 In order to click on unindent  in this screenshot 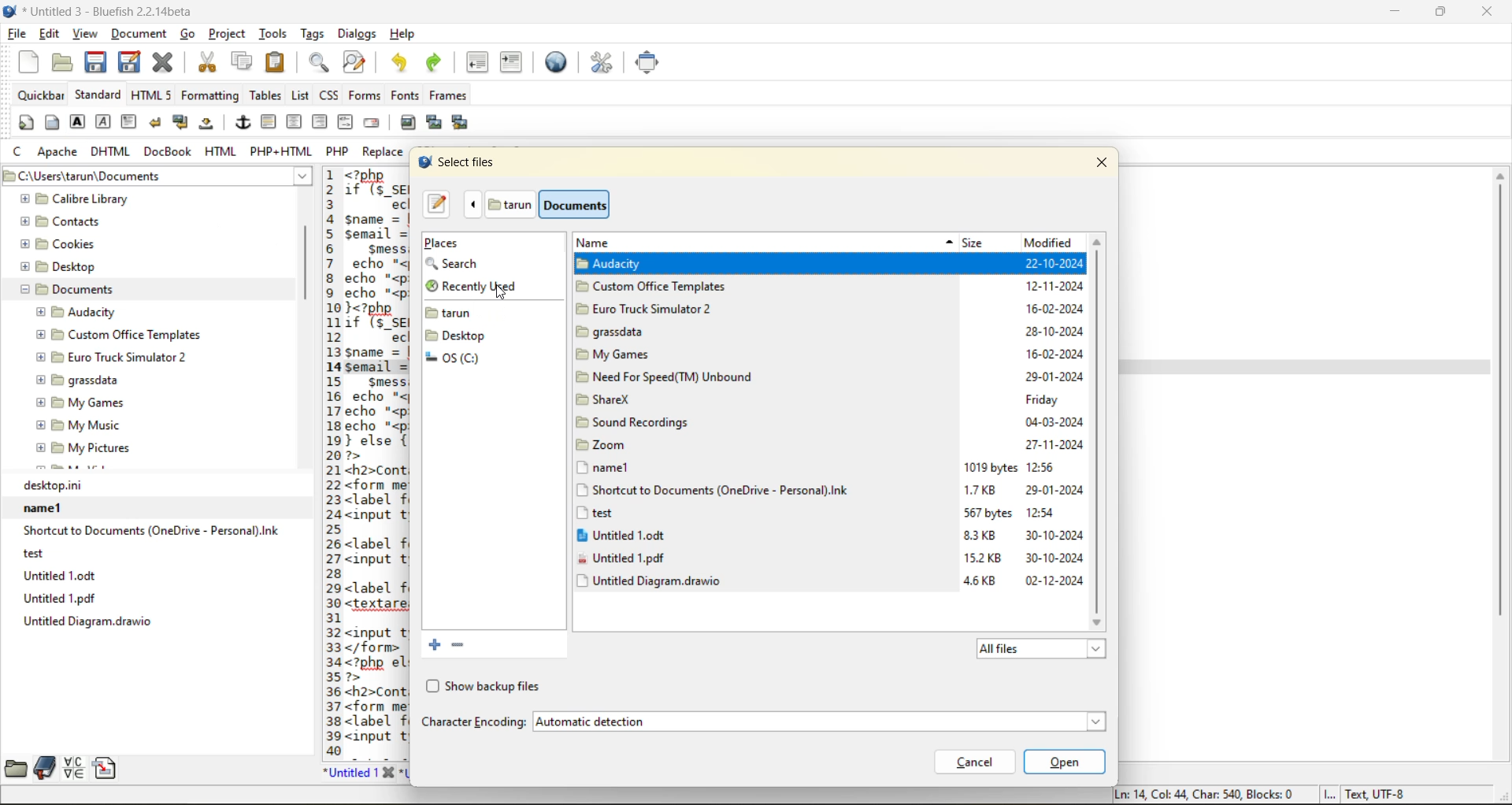, I will do `click(481, 63)`.